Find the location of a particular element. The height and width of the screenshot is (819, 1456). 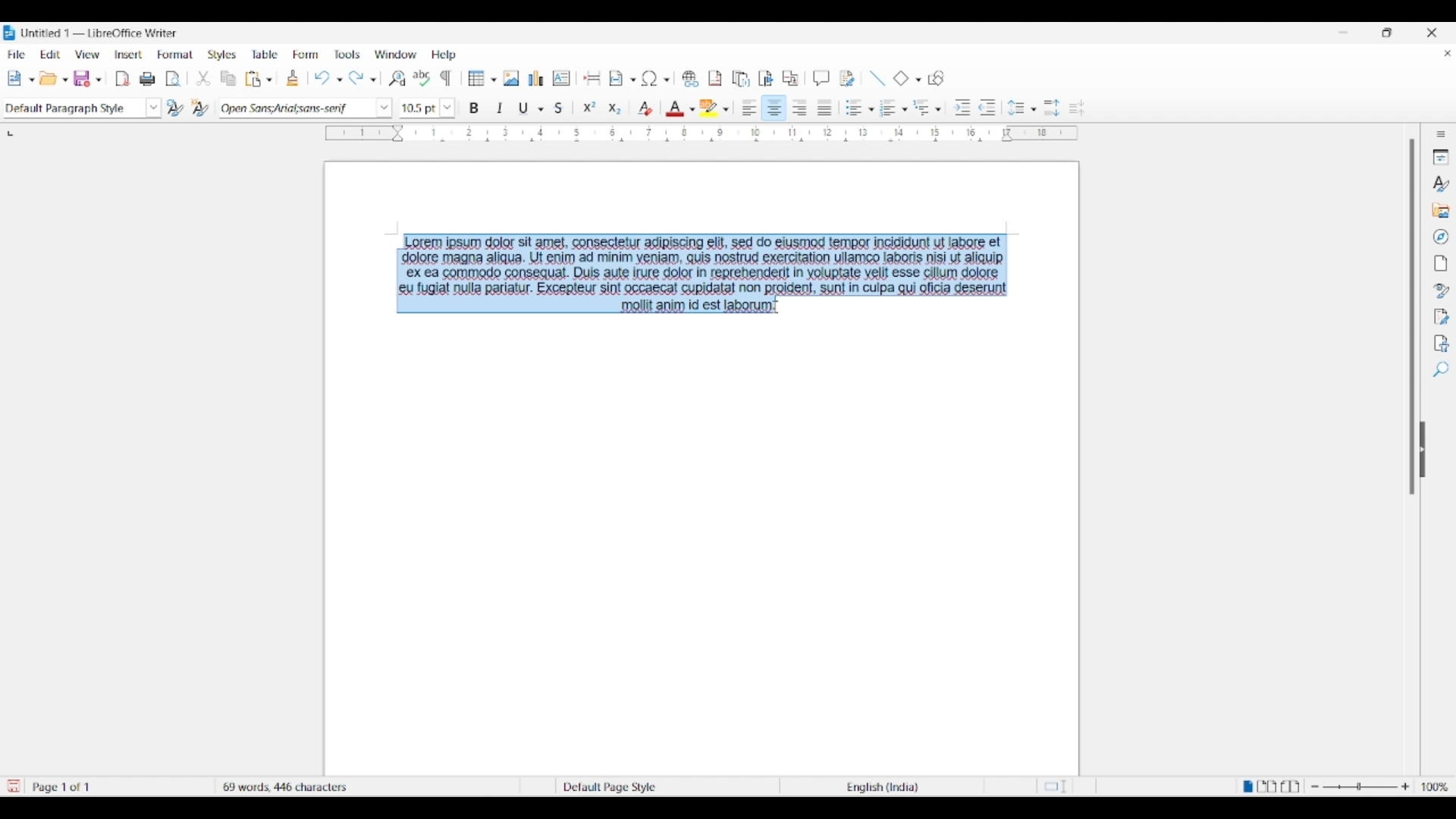

Format is located at coordinates (175, 55).